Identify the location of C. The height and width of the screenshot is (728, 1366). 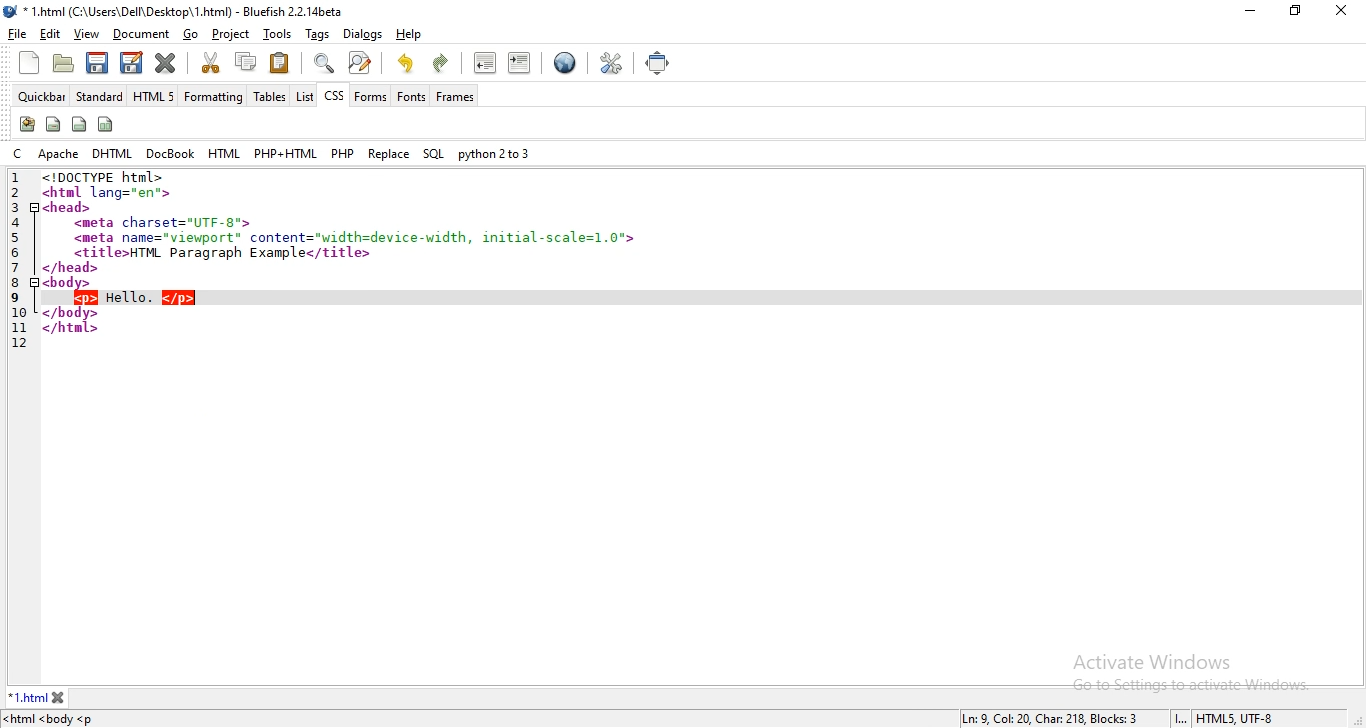
(18, 154).